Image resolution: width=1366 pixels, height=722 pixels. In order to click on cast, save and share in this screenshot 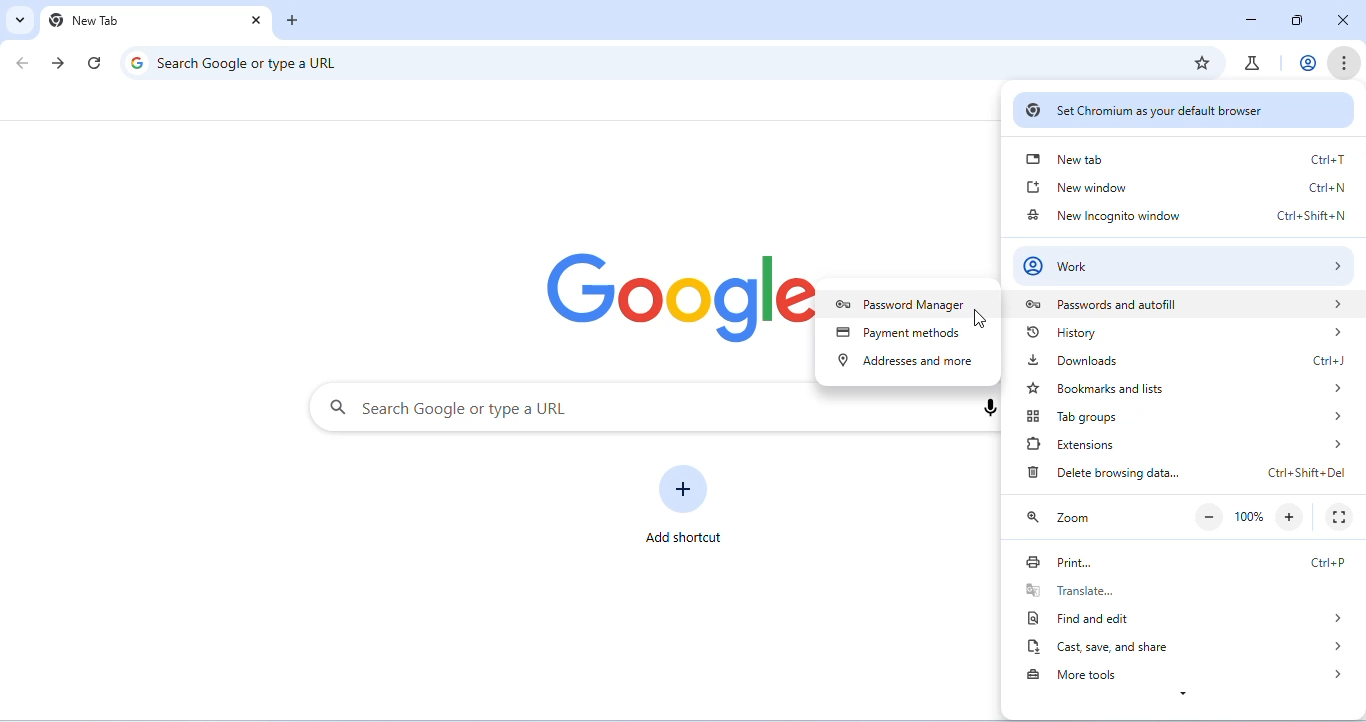, I will do `click(1183, 648)`.